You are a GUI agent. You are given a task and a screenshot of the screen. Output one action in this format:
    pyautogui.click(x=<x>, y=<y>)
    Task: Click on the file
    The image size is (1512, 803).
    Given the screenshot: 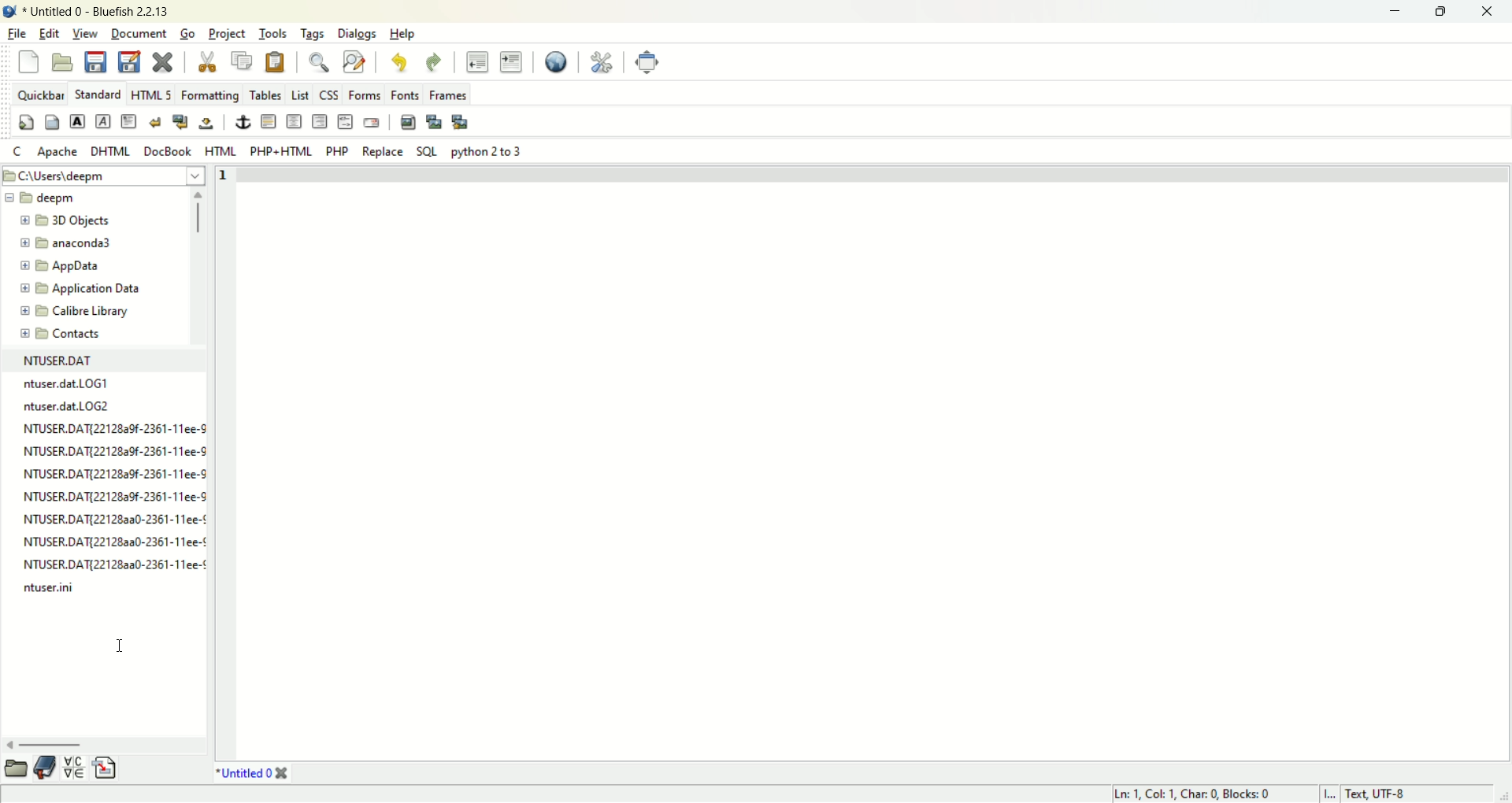 What is the action you would take?
    pyautogui.click(x=15, y=32)
    